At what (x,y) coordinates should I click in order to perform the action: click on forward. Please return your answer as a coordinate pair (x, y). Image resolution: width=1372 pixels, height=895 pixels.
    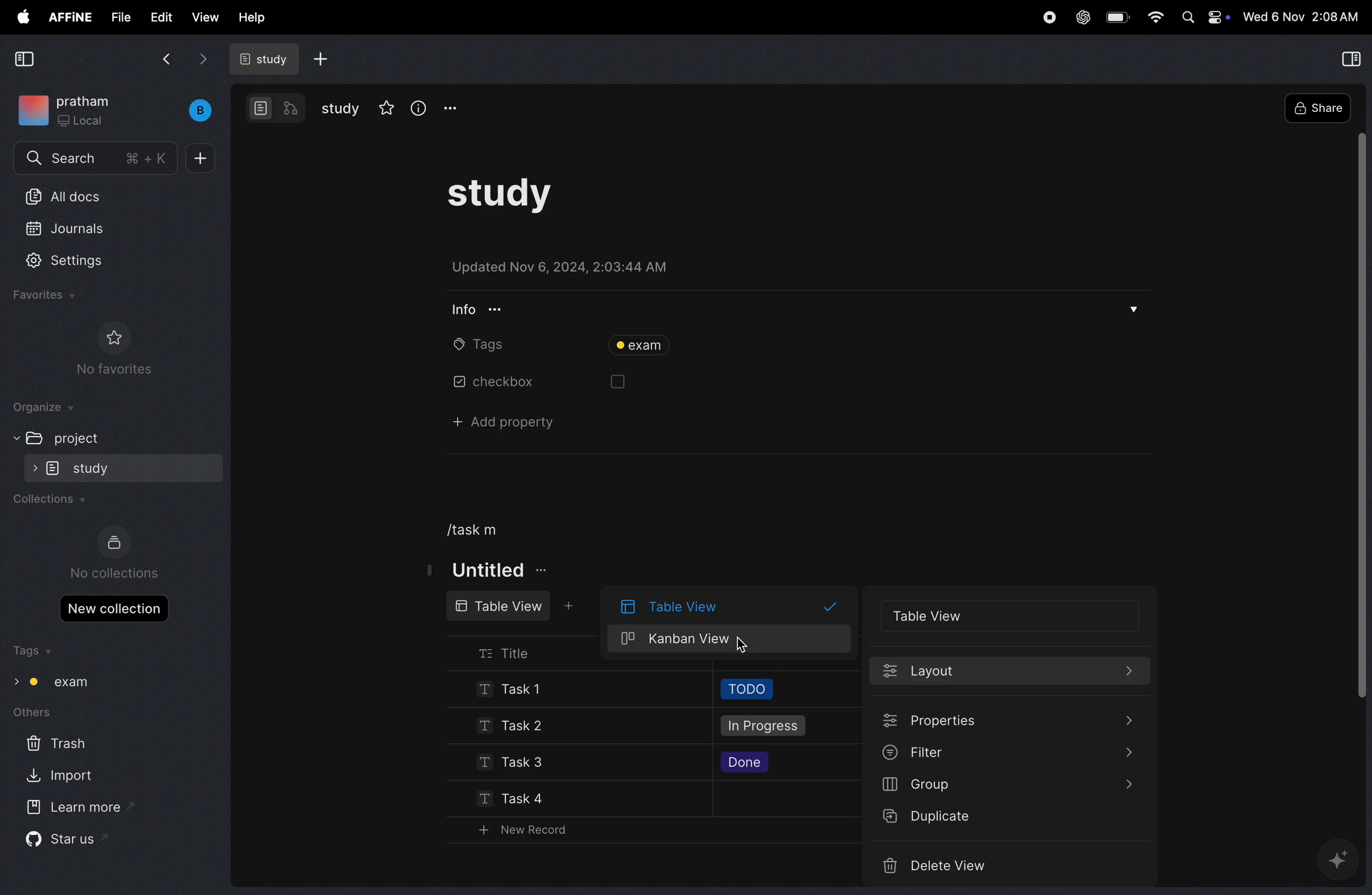
    Looking at the image, I should click on (200, 59).